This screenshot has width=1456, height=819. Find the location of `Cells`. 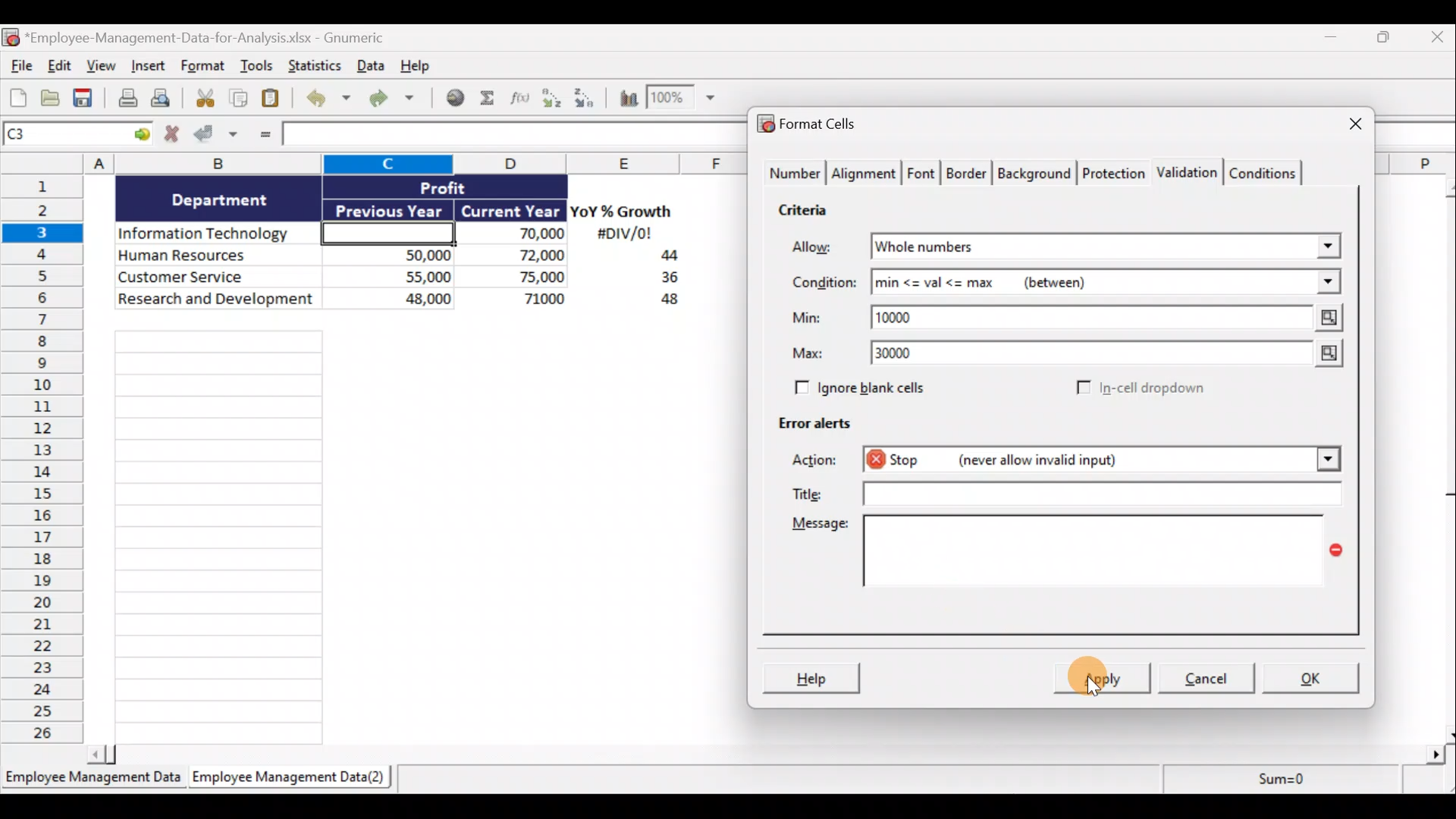

Cells is located at coordinates (408, 531).